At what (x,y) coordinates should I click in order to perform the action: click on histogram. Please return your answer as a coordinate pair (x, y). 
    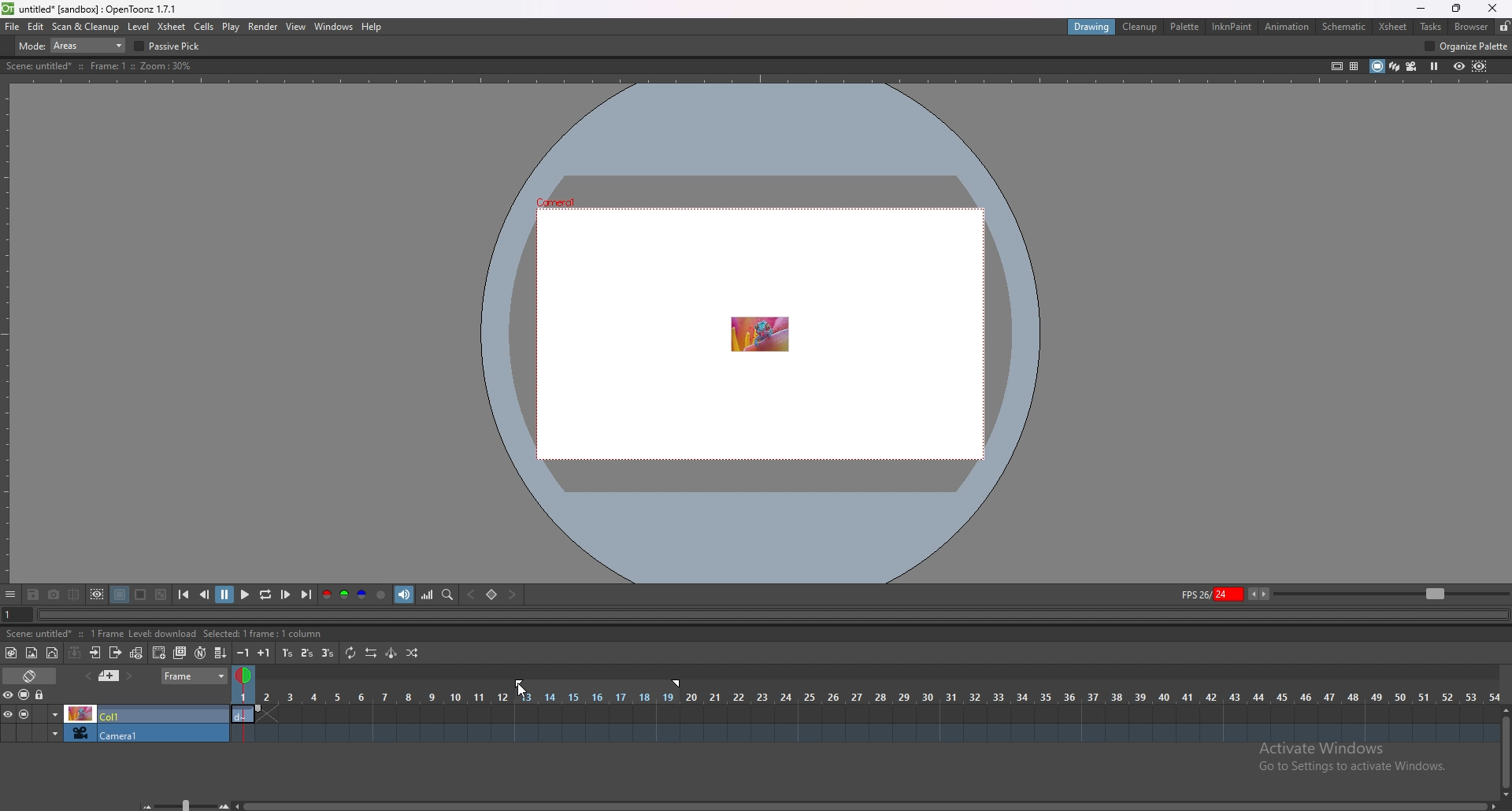
    Looking at the image, I should click on (428, 594).